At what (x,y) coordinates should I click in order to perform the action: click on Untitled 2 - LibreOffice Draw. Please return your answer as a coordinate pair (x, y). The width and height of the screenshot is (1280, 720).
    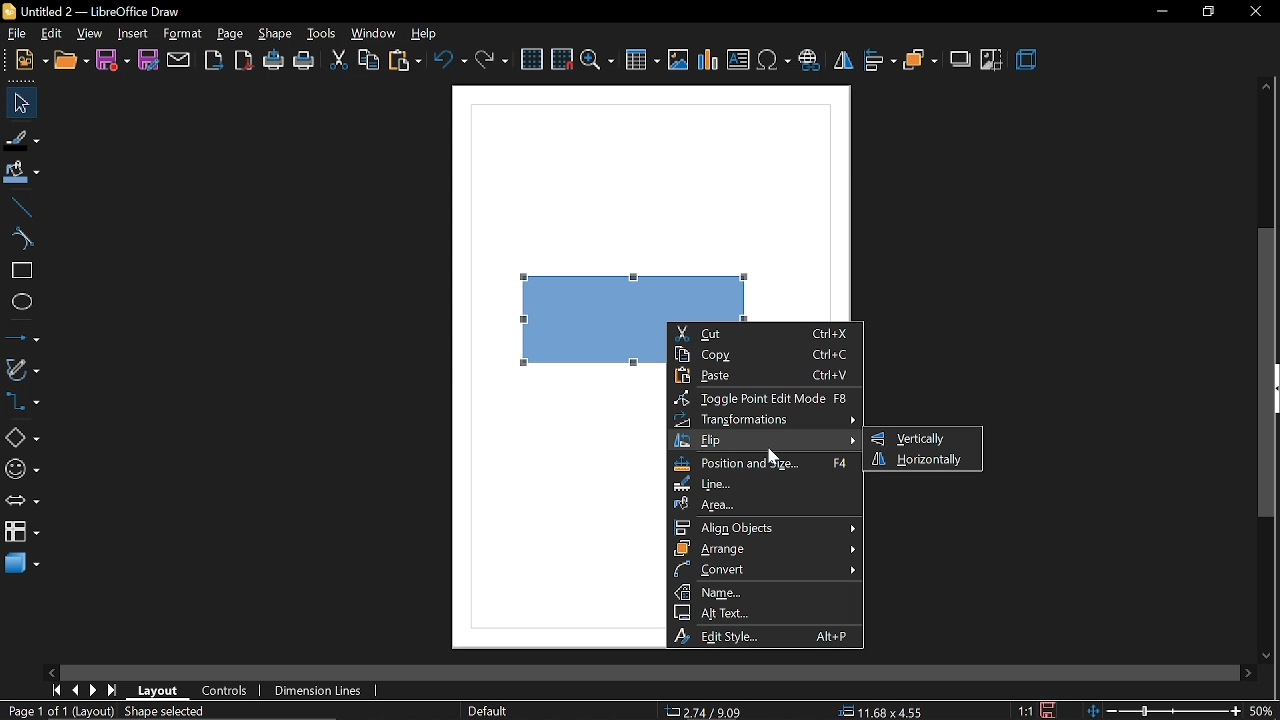
    Looking at the image, I should click on (96, 10).